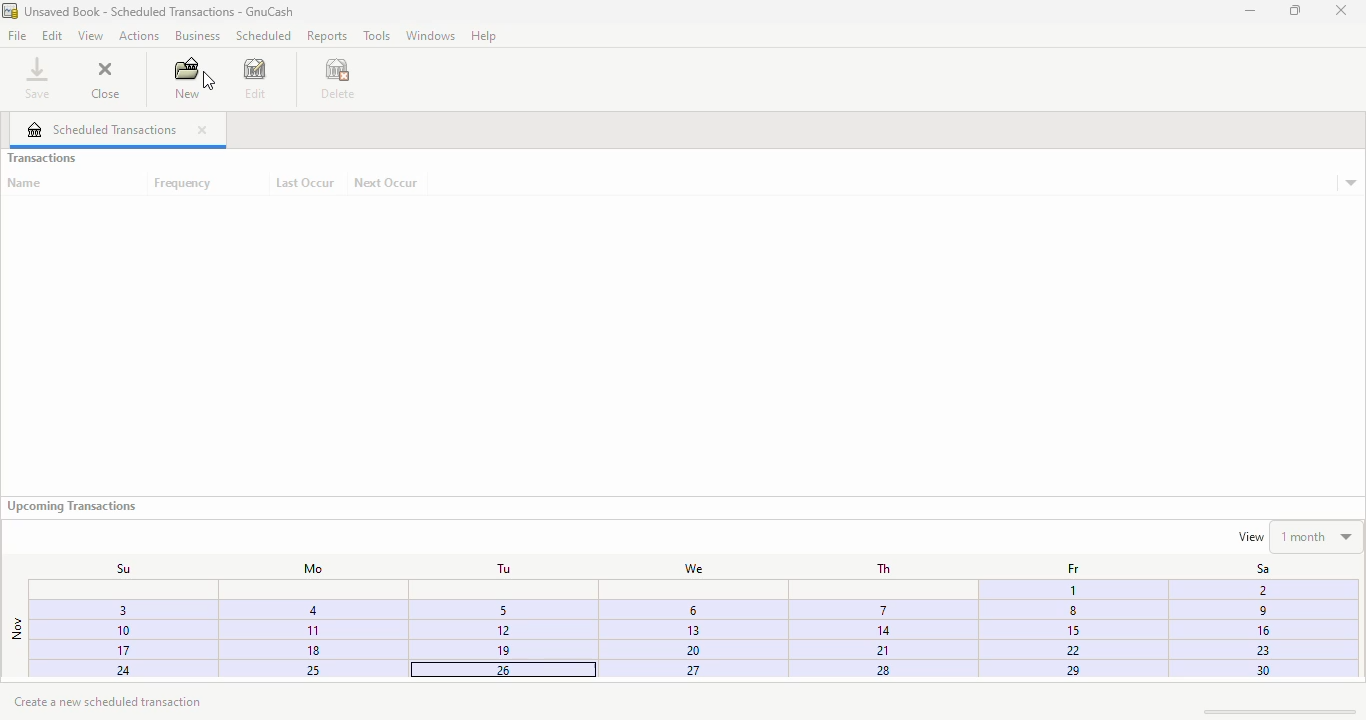 This screenshot has width=1366, height=720. Describe the element at coordinates (312, 609) in the screenshot. I see `4` at that location.